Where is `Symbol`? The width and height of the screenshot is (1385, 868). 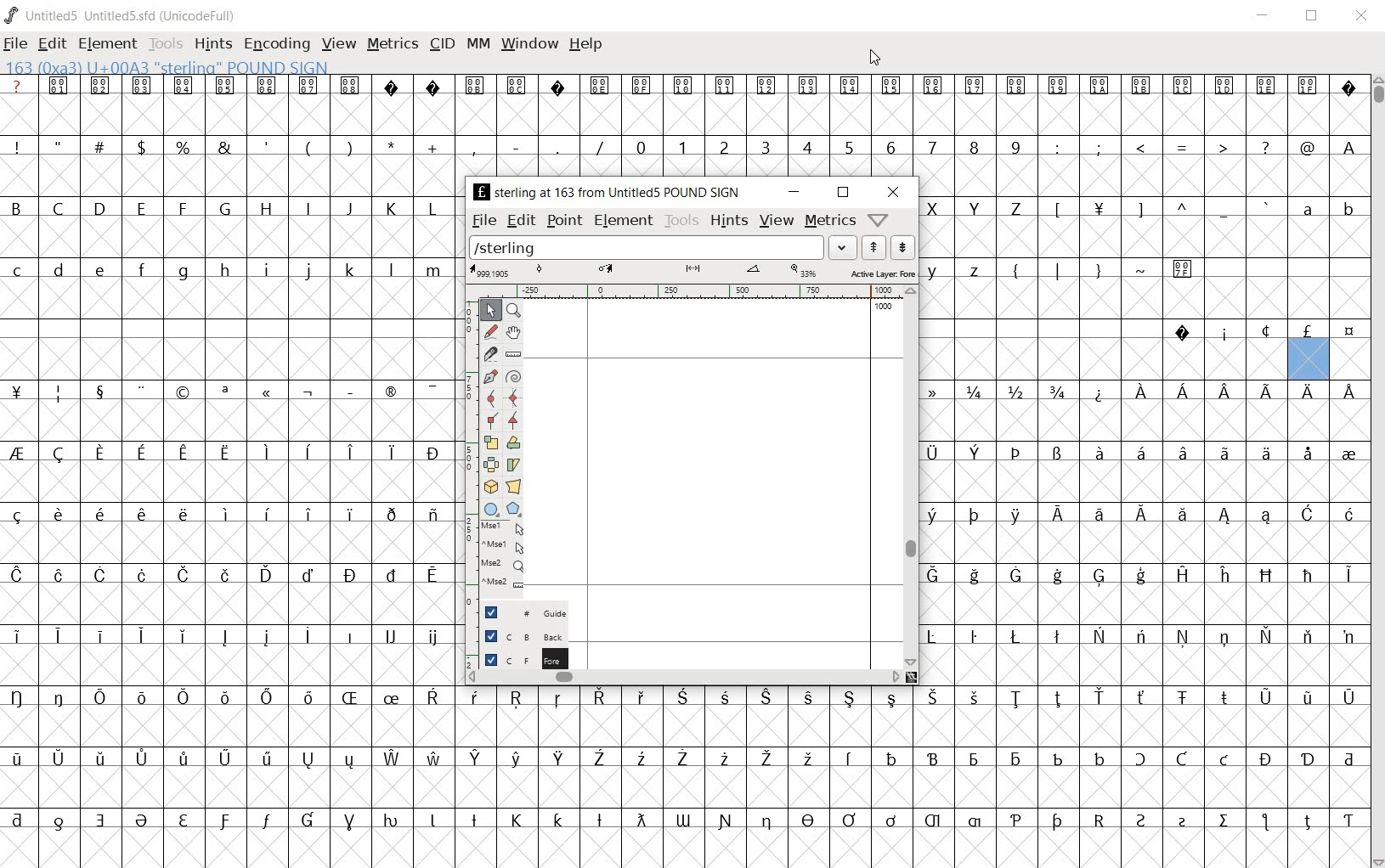 Symbol is located at coordinates (393, 573).